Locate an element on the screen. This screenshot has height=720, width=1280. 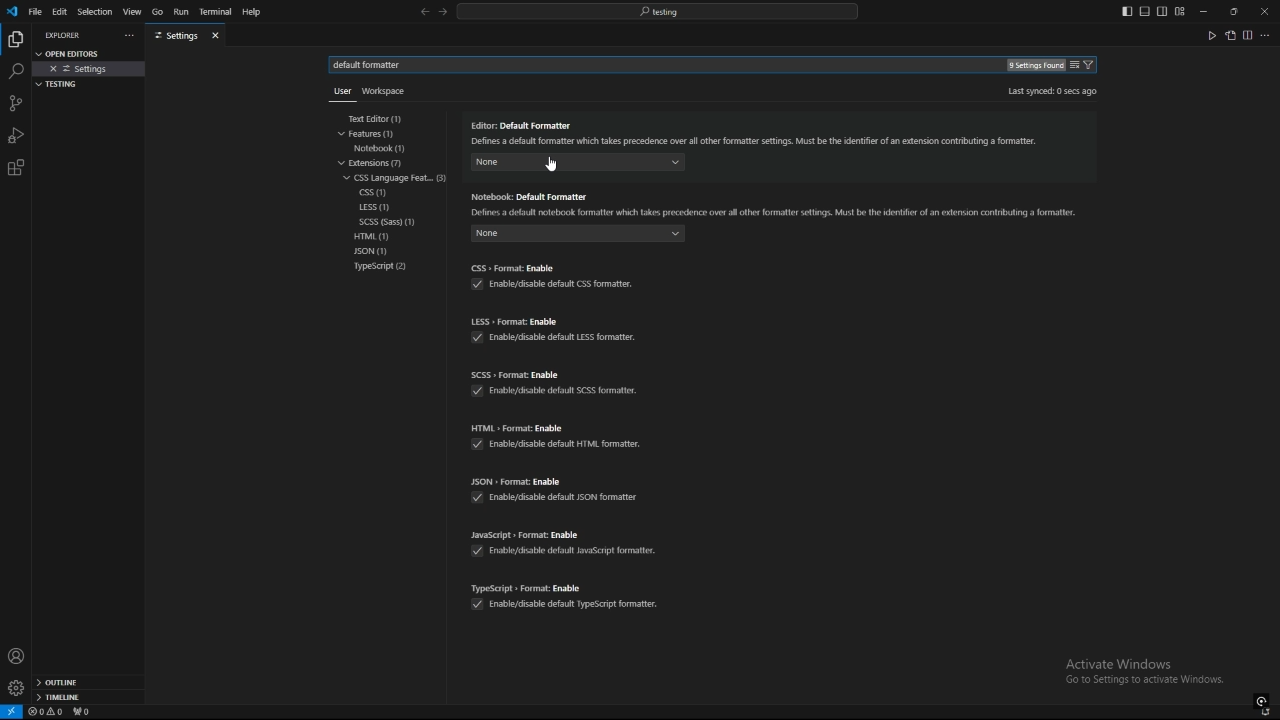
less format enable is located at coordinates (556, 321).